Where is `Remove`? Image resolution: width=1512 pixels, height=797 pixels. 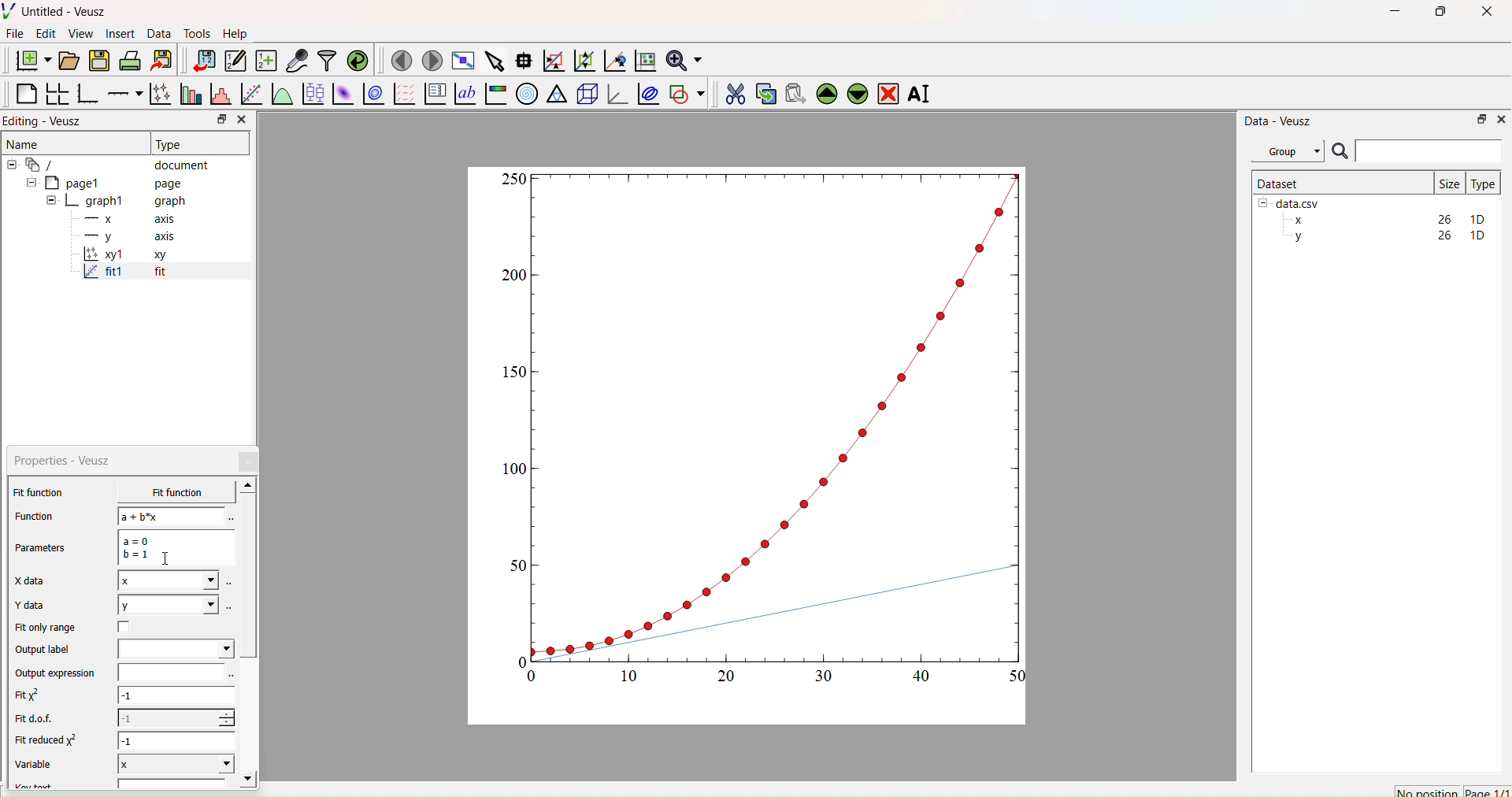 Remove is located at coordinates (888, 92).